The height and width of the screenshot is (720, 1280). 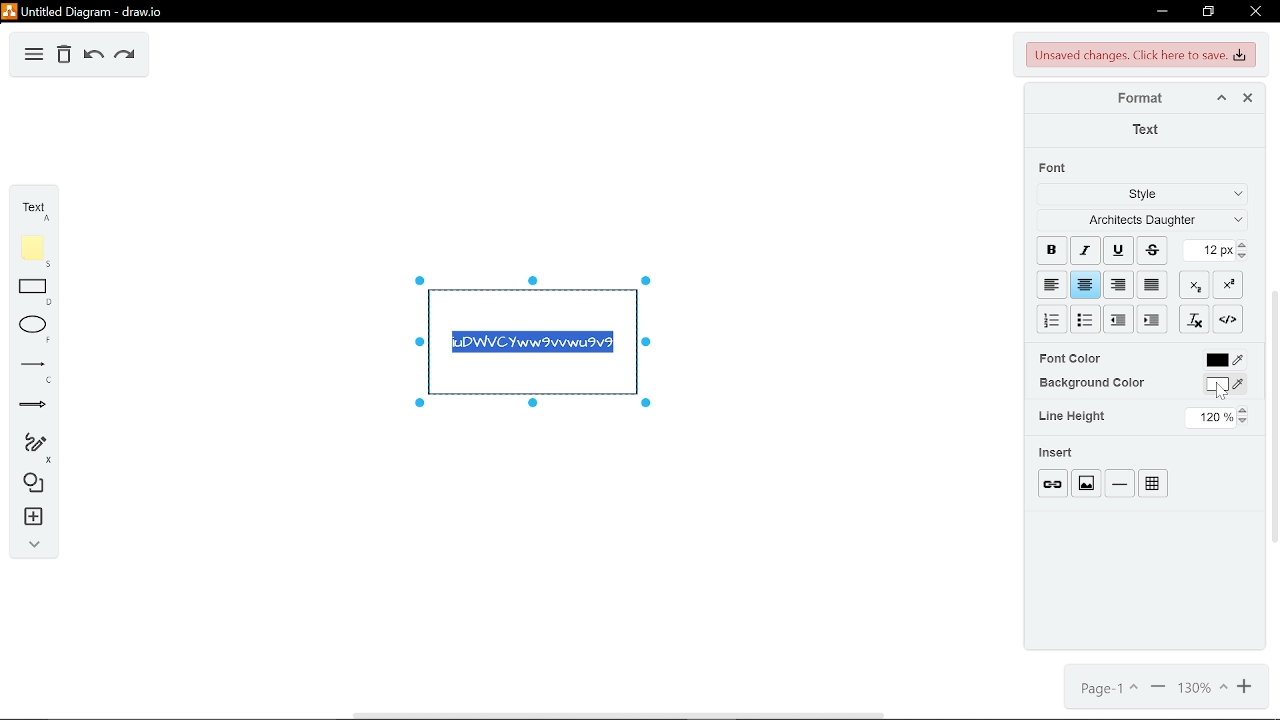 What do you see at coordinates (620, 715) in the screenshot?
I see `Horizontal scrollbar` at bounding box center [620, 715].